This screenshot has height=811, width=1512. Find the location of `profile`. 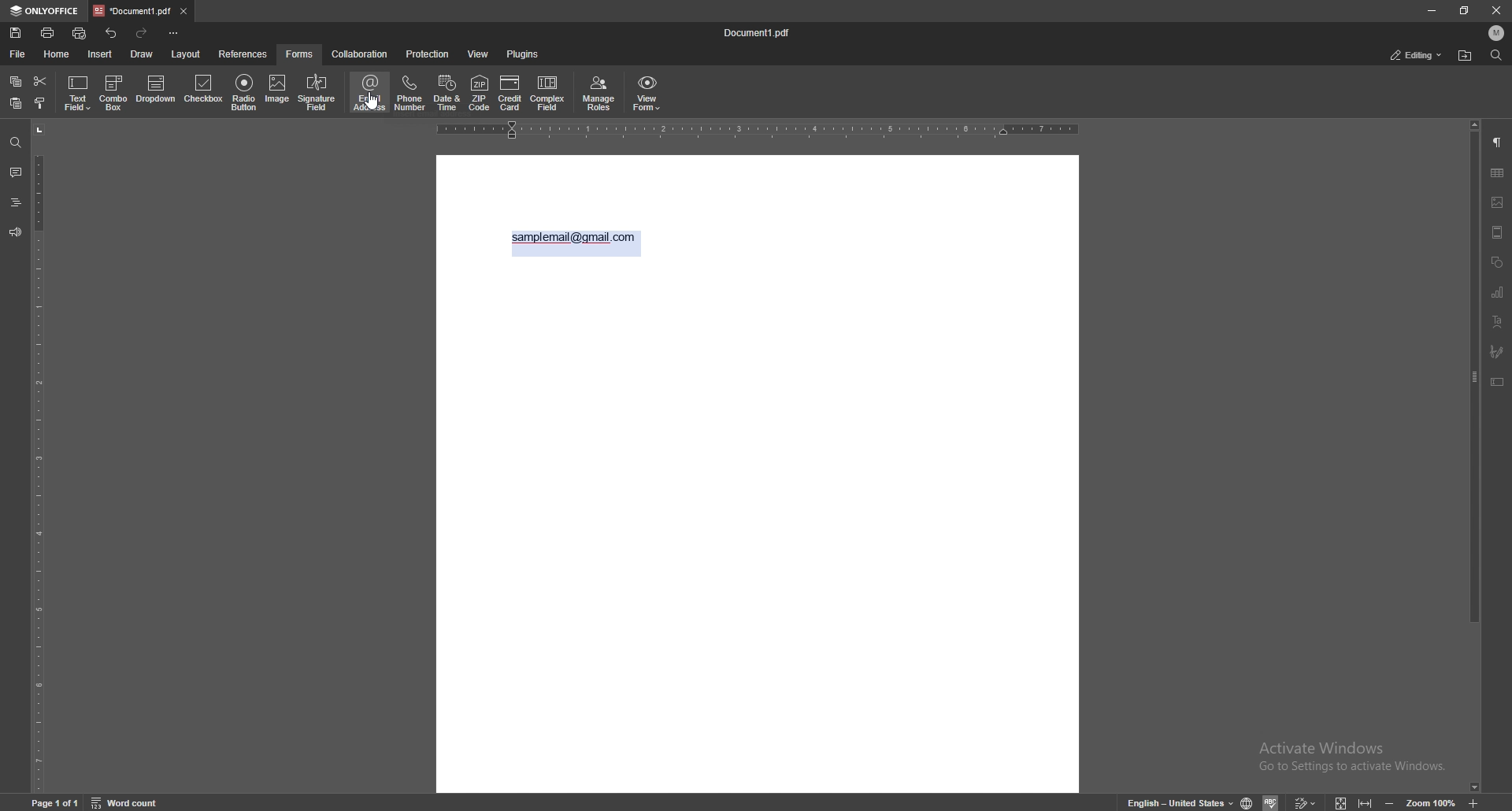

profile is located at coordinates (1497, 33).